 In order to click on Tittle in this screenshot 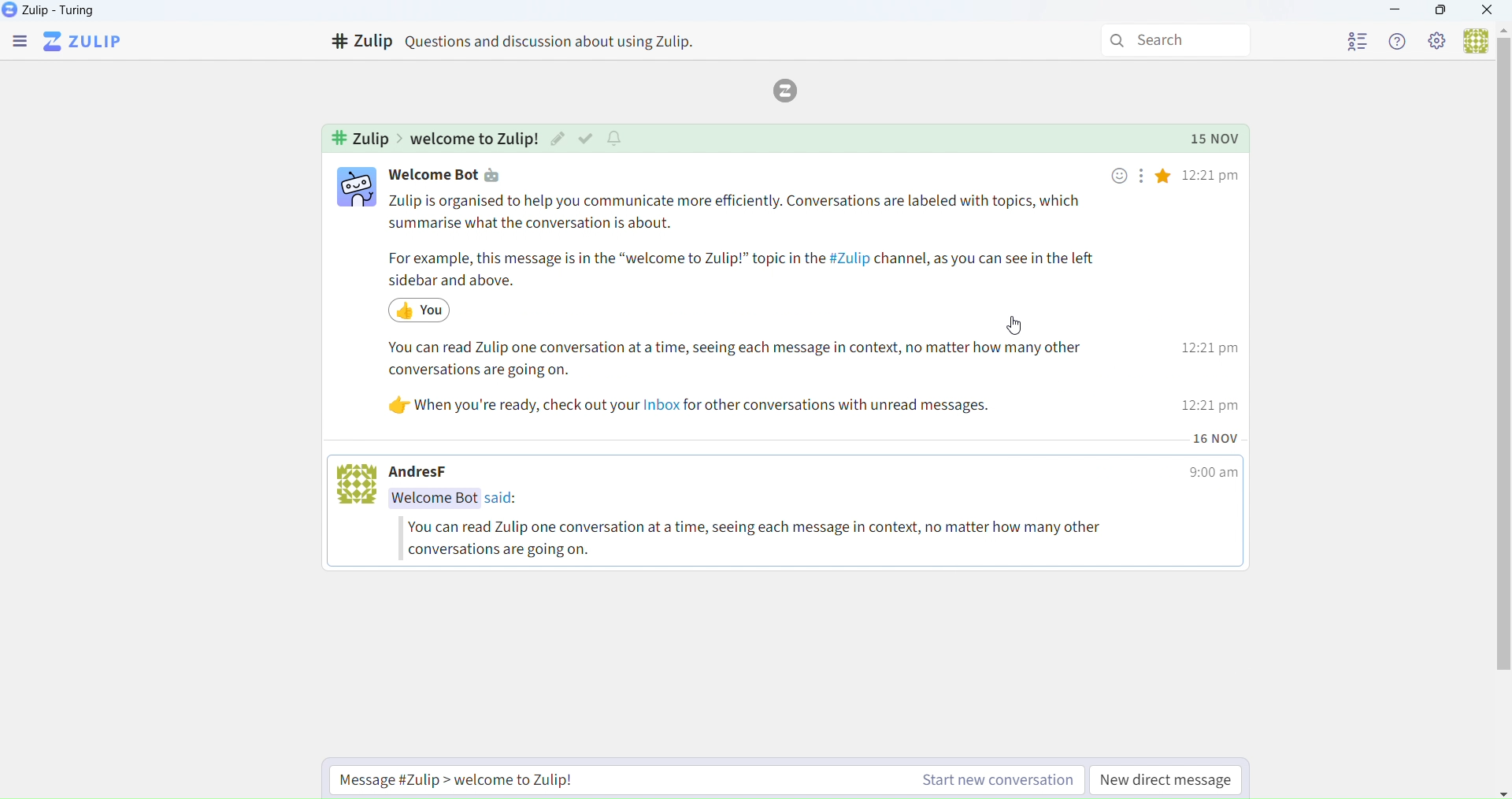, I will do `click(529, 41)`.